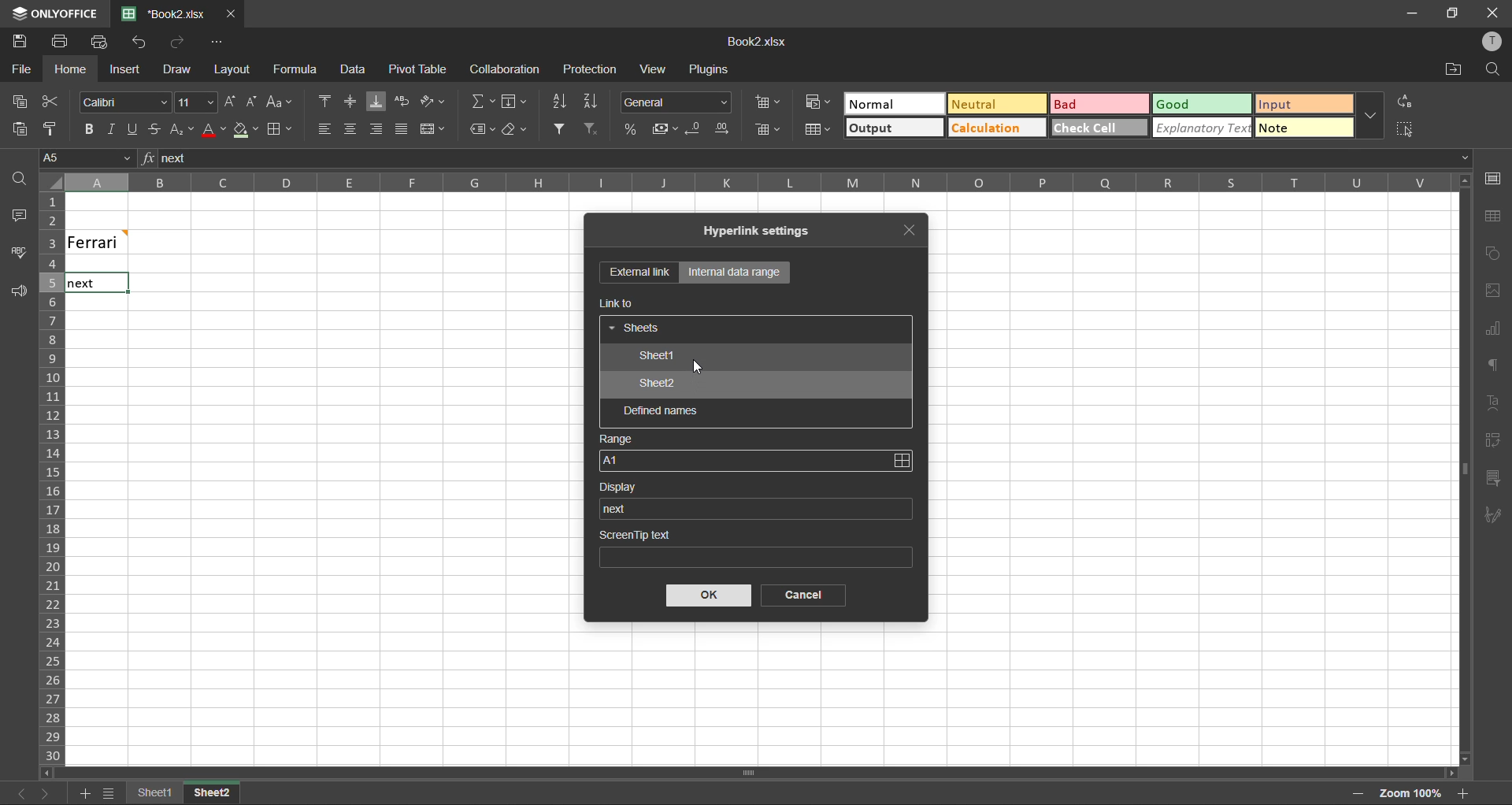 The width and height of the screenshot is (1512, 805). What do you see at coordinates (617, 440) in the screenshot?
I see `range` at bounding box center [617, 440].